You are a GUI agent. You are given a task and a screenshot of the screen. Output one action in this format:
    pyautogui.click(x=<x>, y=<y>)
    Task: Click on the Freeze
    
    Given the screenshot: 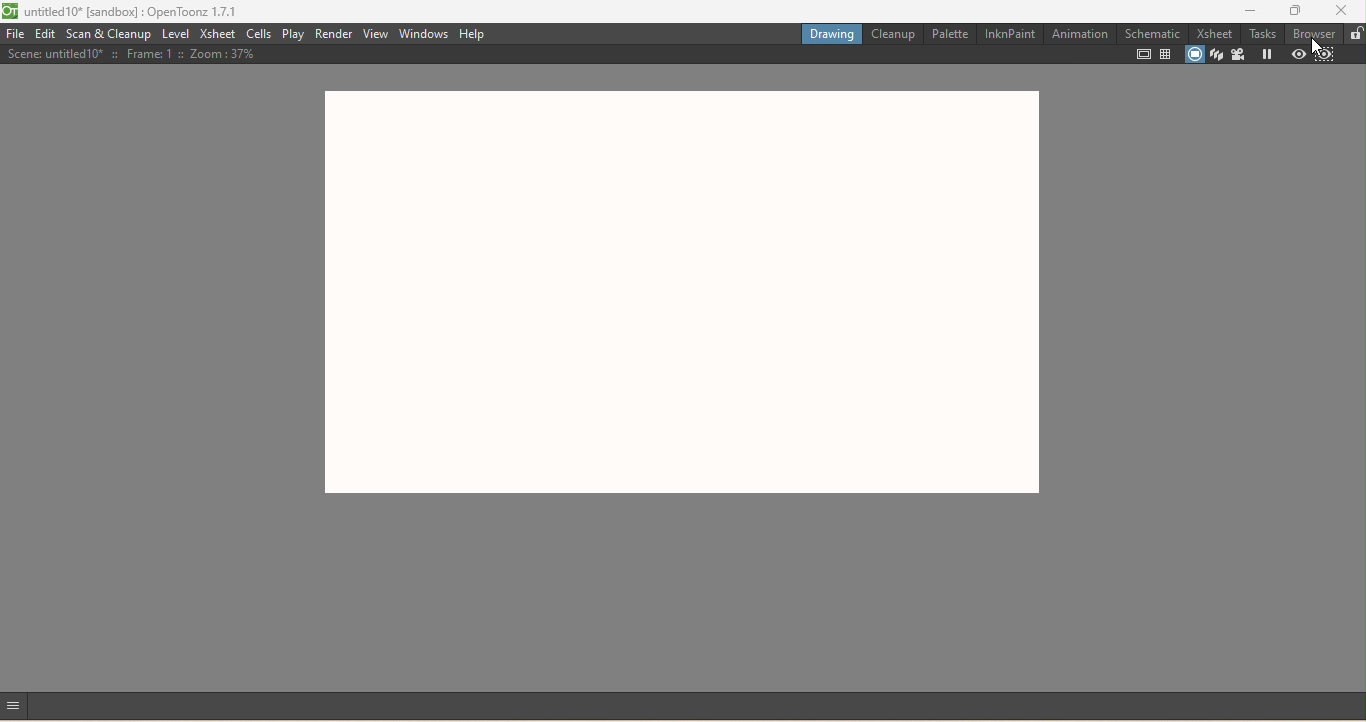 What is the action you would take?
    pyautogui.click(x=1265, y=54)
    